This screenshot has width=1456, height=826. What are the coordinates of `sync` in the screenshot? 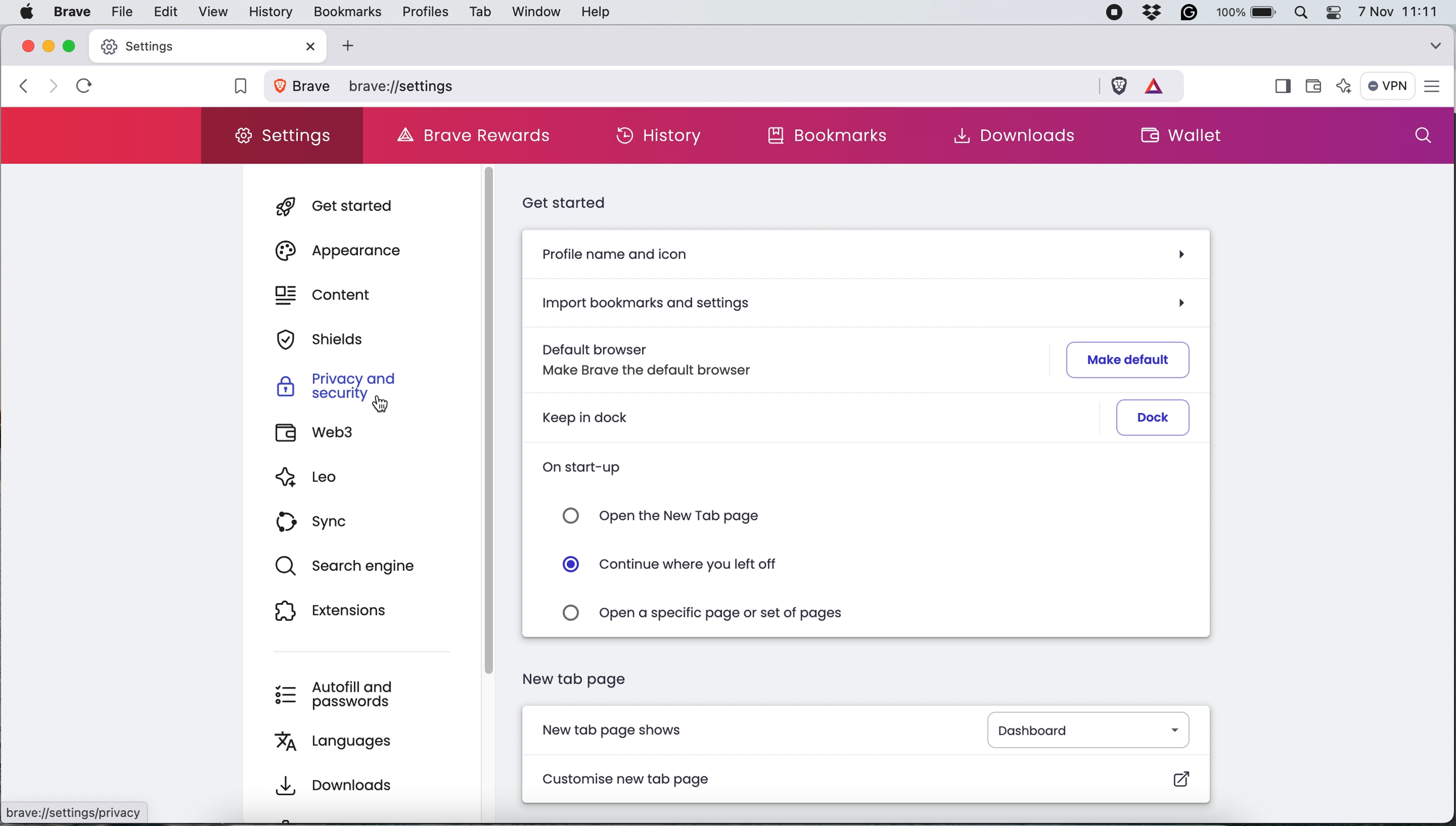 It's located at (310, 522).